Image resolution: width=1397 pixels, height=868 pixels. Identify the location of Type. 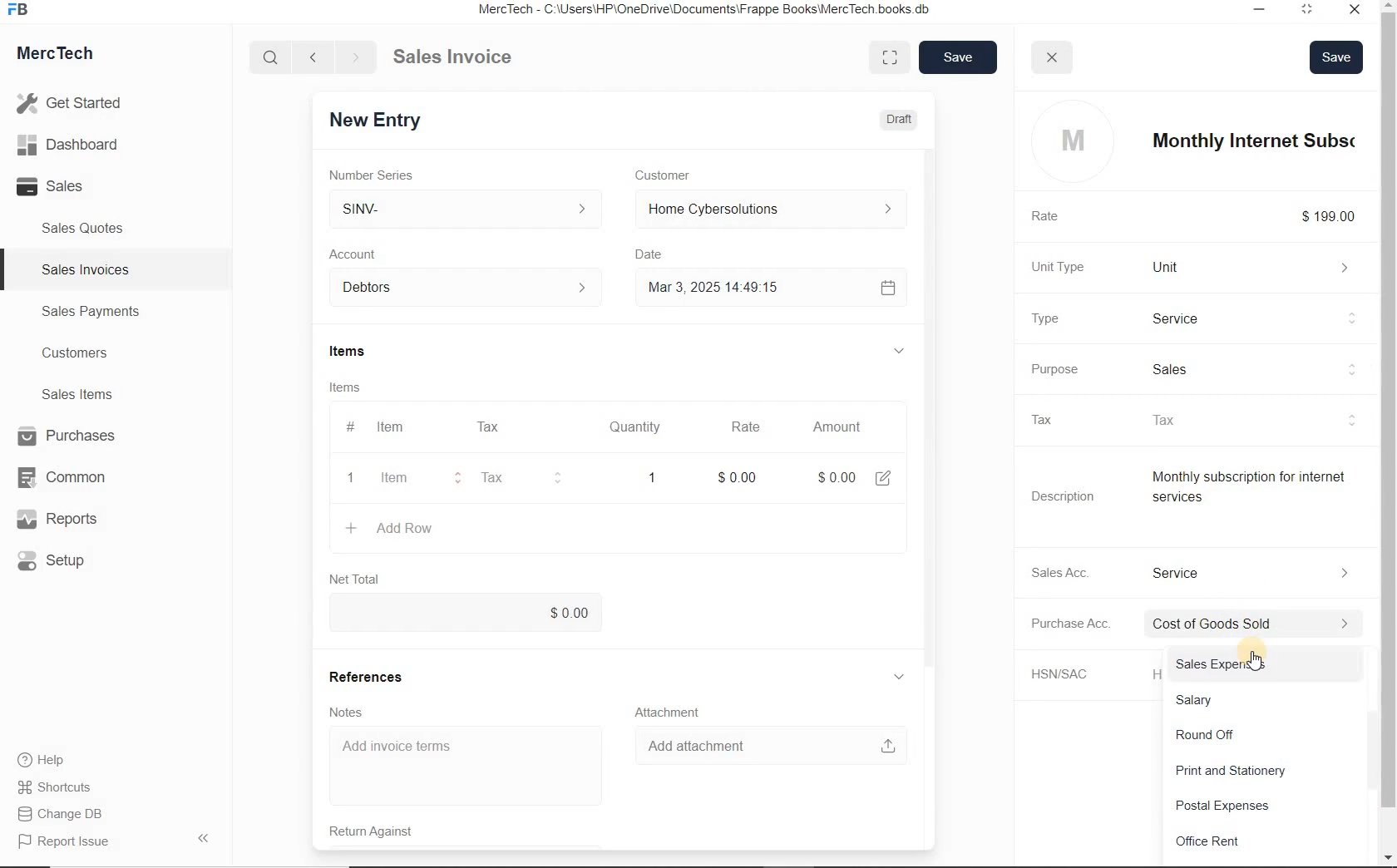
(1061, 318).